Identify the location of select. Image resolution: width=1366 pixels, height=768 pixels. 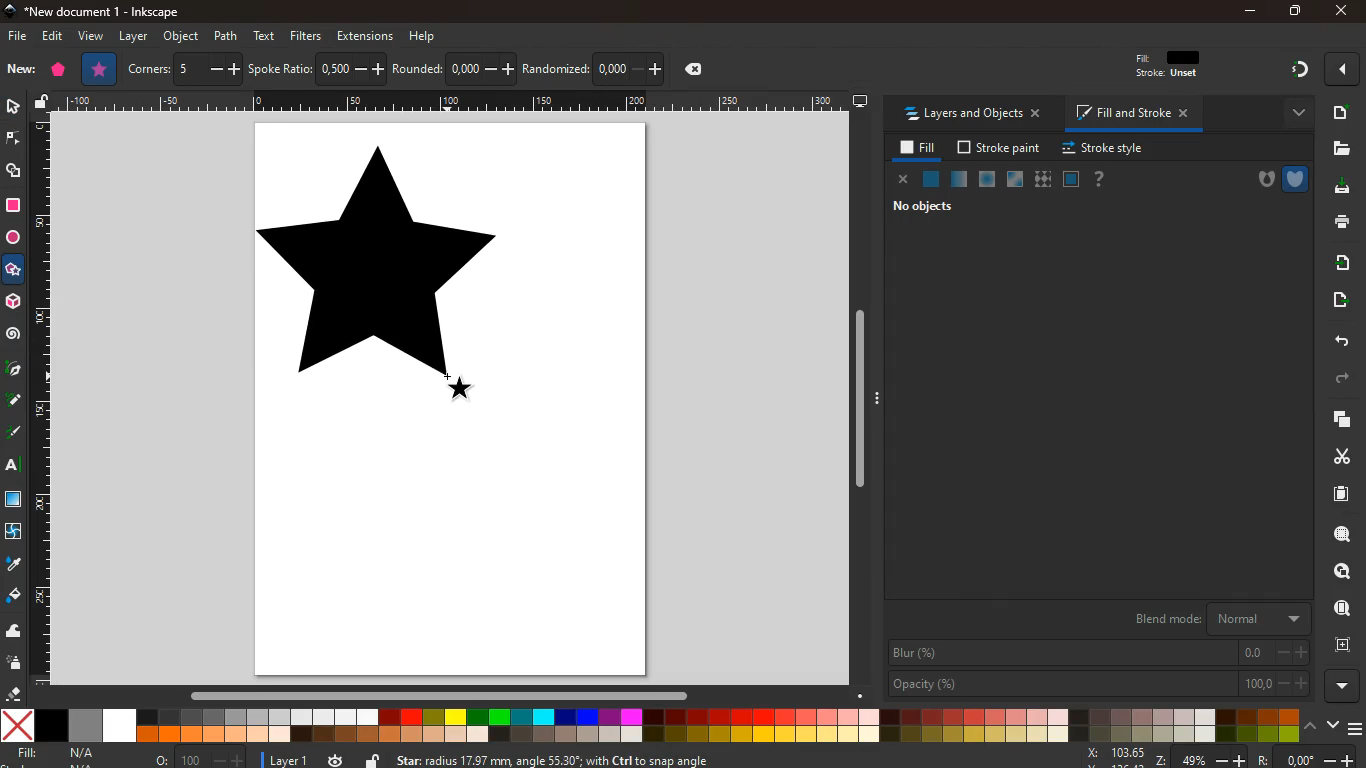
(15, 109).